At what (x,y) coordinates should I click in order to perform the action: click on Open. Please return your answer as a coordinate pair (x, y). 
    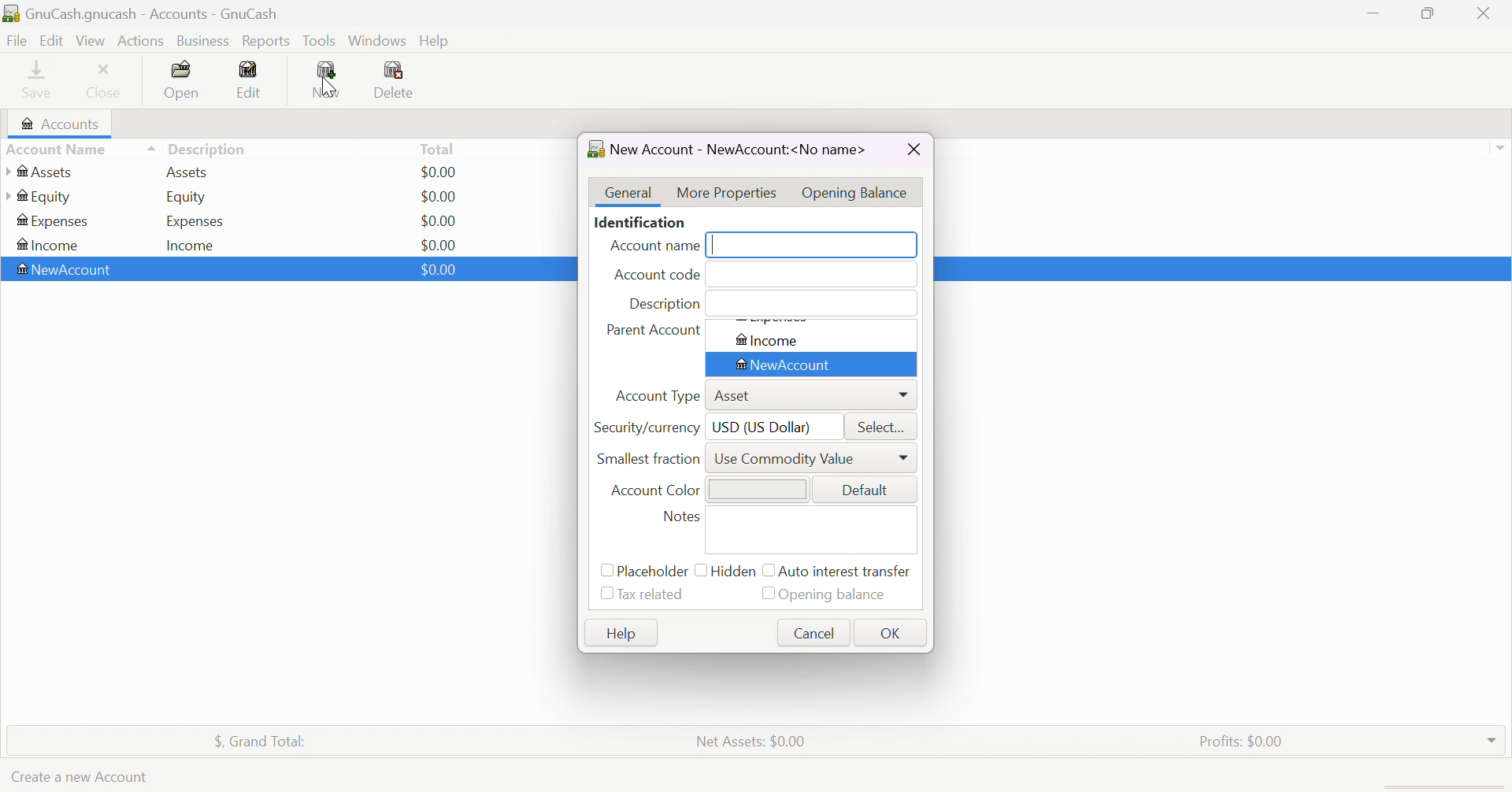
    Looking at the image, I should click on (185, 81).